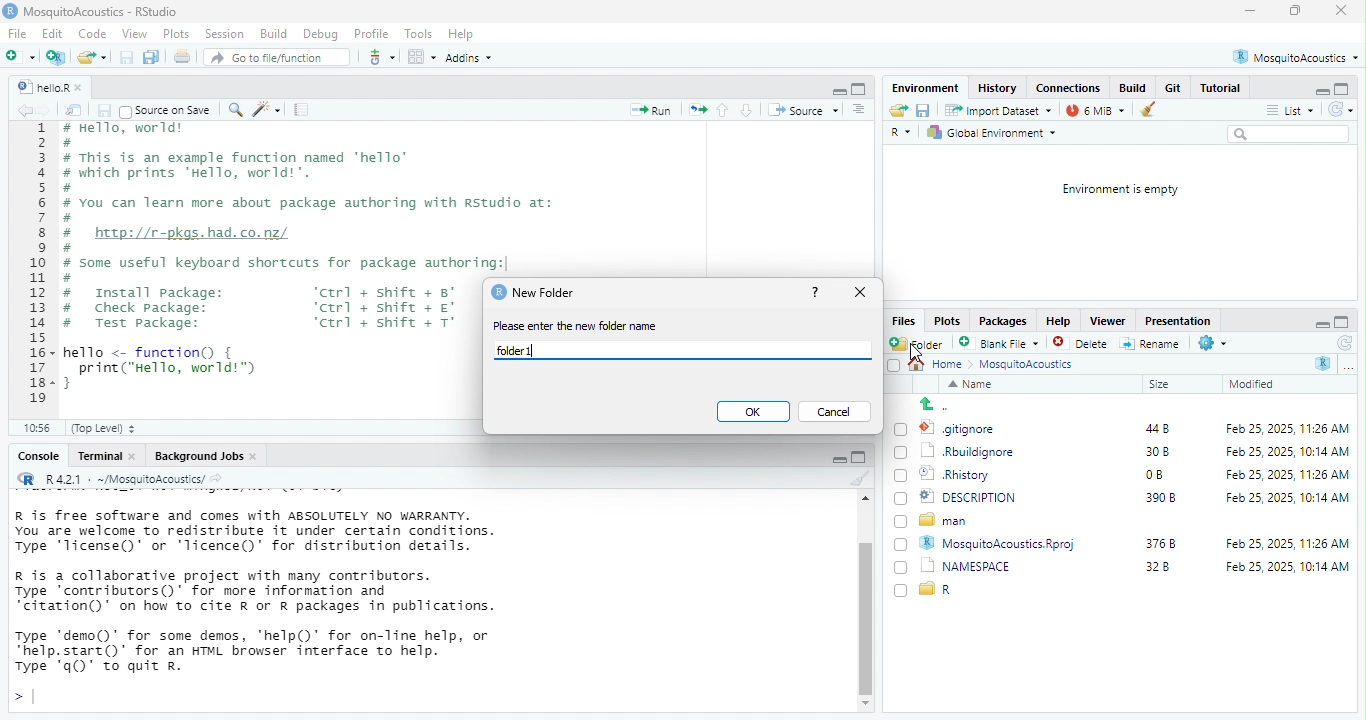 This screenshot has height=720, width=1366. I want to click on create a project, so click(57, 57).